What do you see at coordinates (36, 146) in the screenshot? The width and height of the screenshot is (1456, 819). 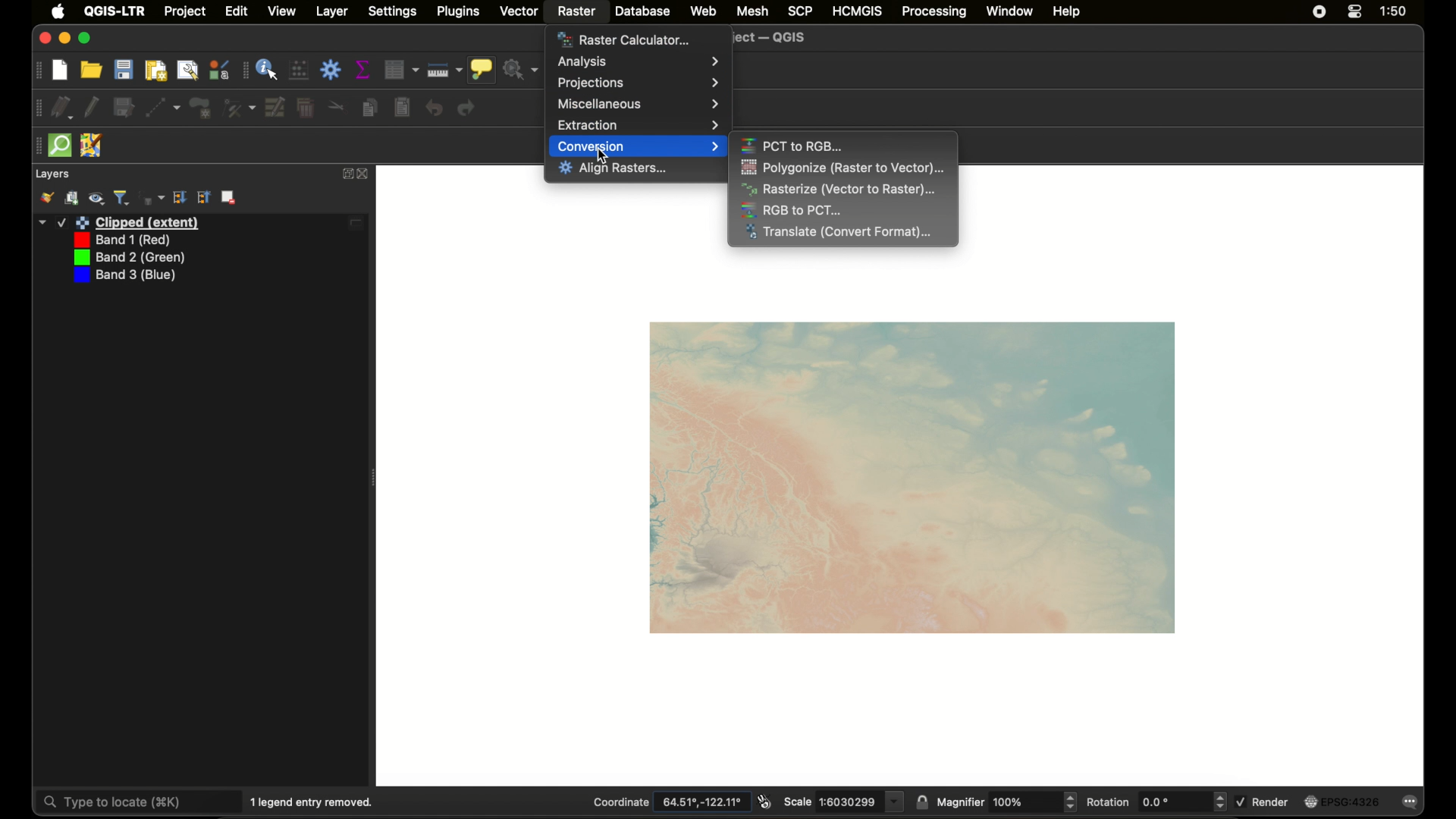 I see `drag handle` at bounding box center [36, 146].